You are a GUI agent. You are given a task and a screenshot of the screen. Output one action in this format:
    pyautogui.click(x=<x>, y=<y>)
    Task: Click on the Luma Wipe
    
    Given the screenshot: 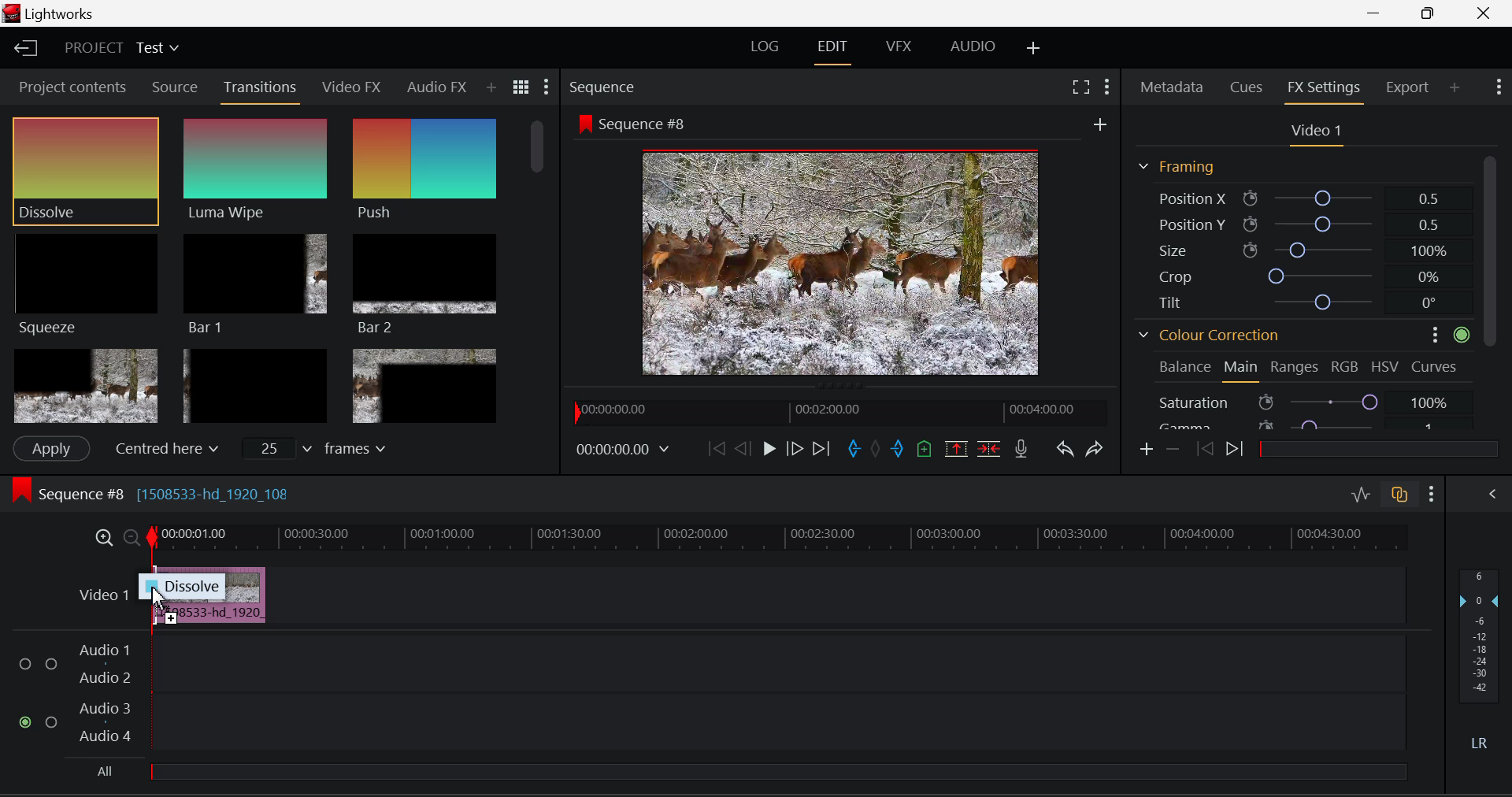 What is the action you would take?
    pyautogui.click(x=255, y=169)
    